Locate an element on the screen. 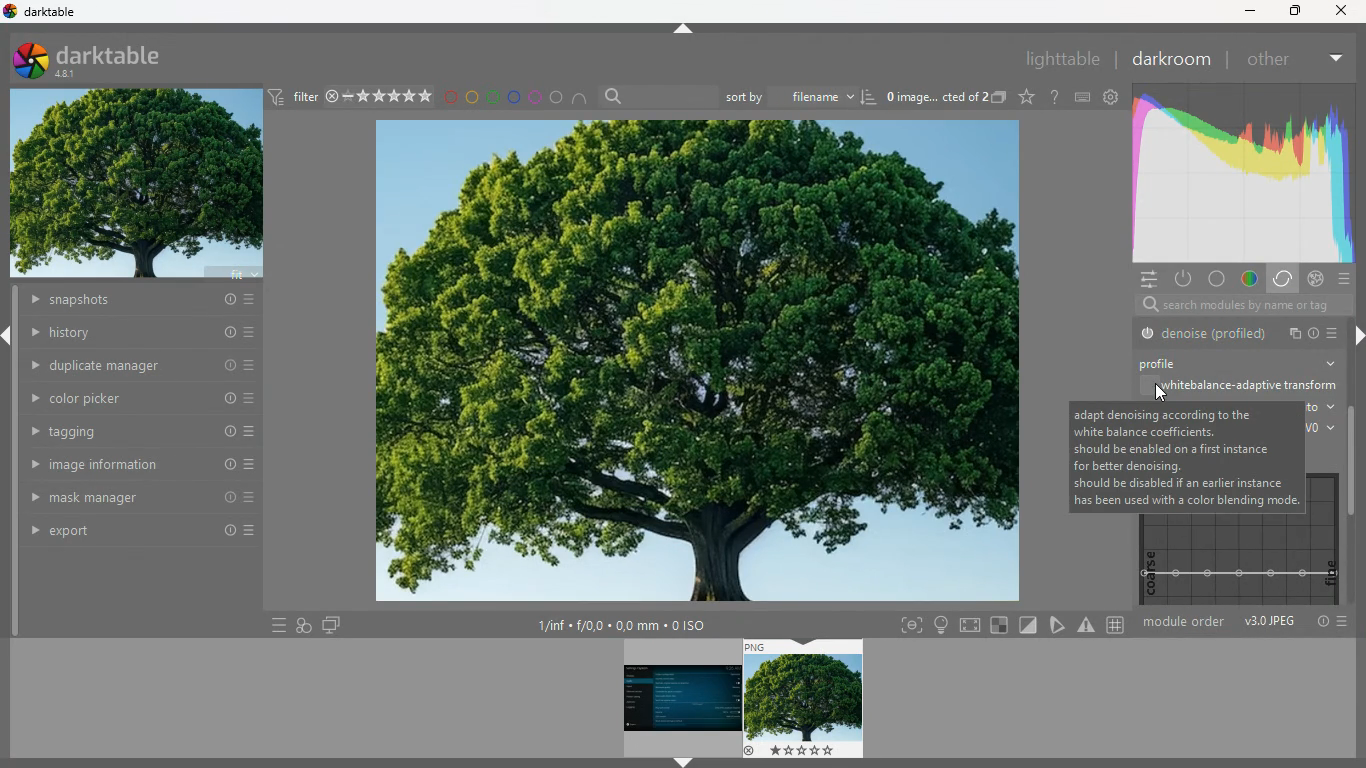 This screenshot has height=768, width=1366. maximize is located at coordinates (1293, 11).